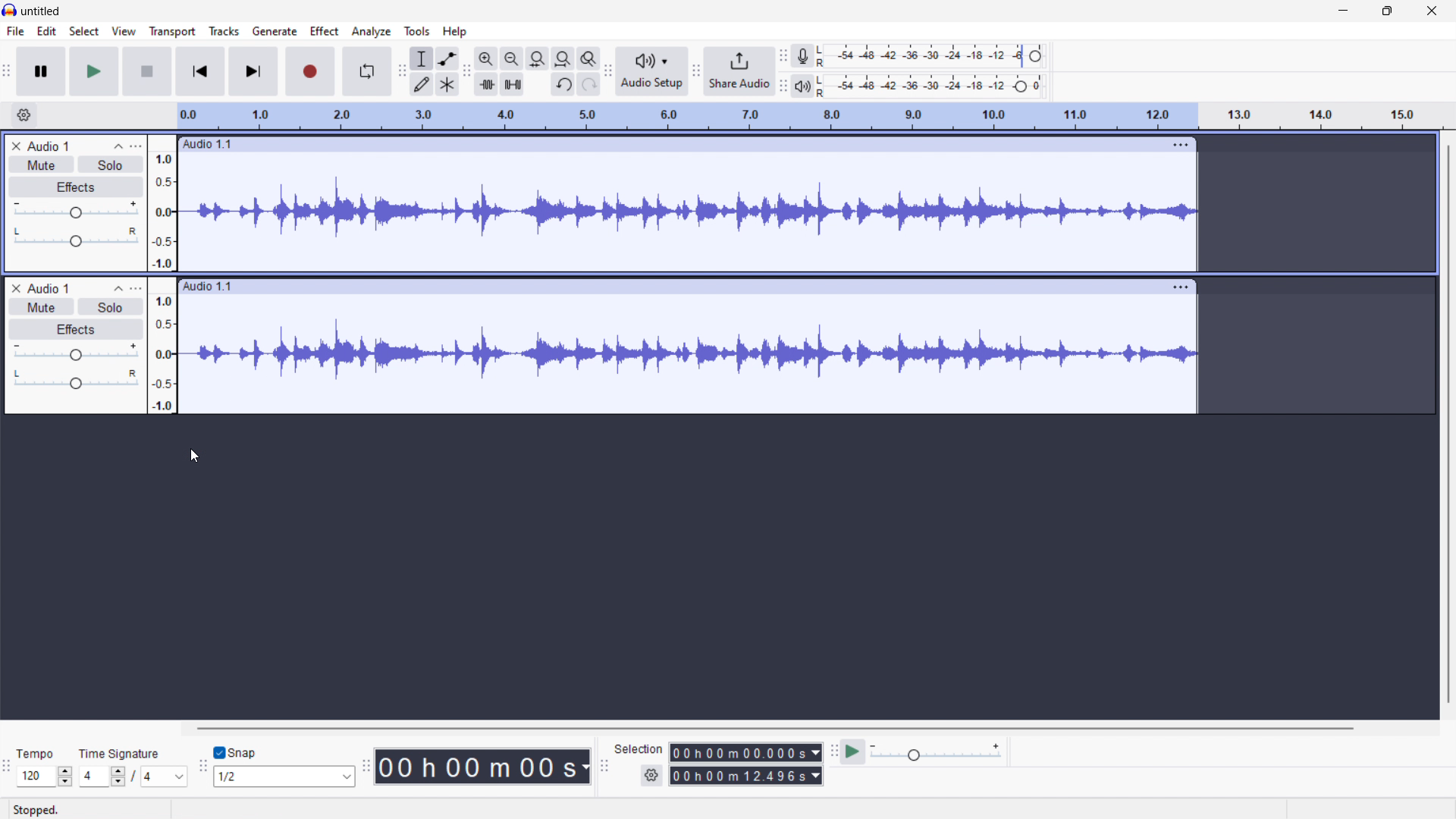  What do you see at coordinates (650, 775) in the screenshot?
I see `selection settings` at bounding box center [650, 775].